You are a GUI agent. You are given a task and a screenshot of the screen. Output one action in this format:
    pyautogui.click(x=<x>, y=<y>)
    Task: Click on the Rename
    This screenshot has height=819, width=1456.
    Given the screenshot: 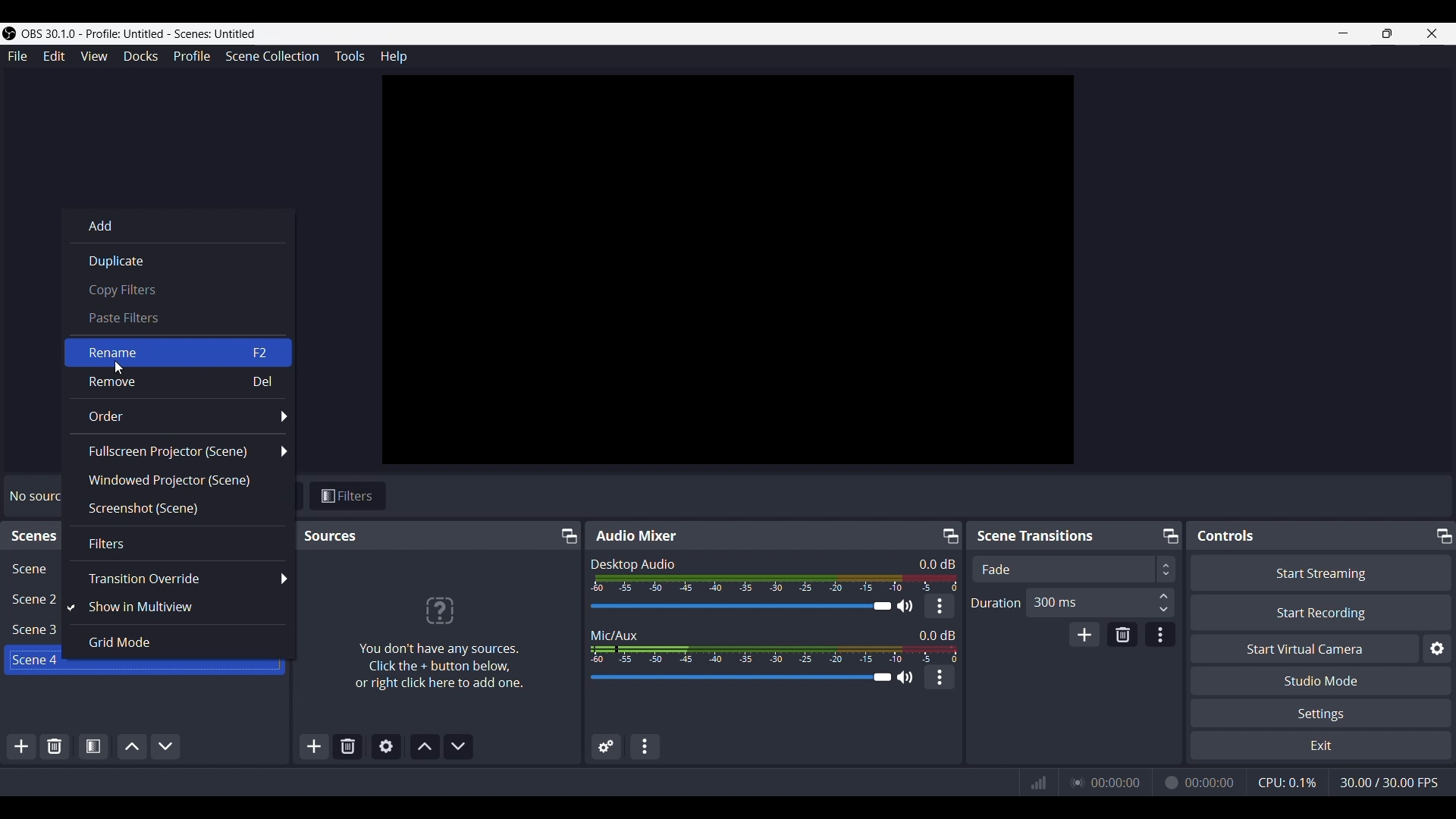 What is the action you would take?
    pyautogui.click(x=116, y=352)
    